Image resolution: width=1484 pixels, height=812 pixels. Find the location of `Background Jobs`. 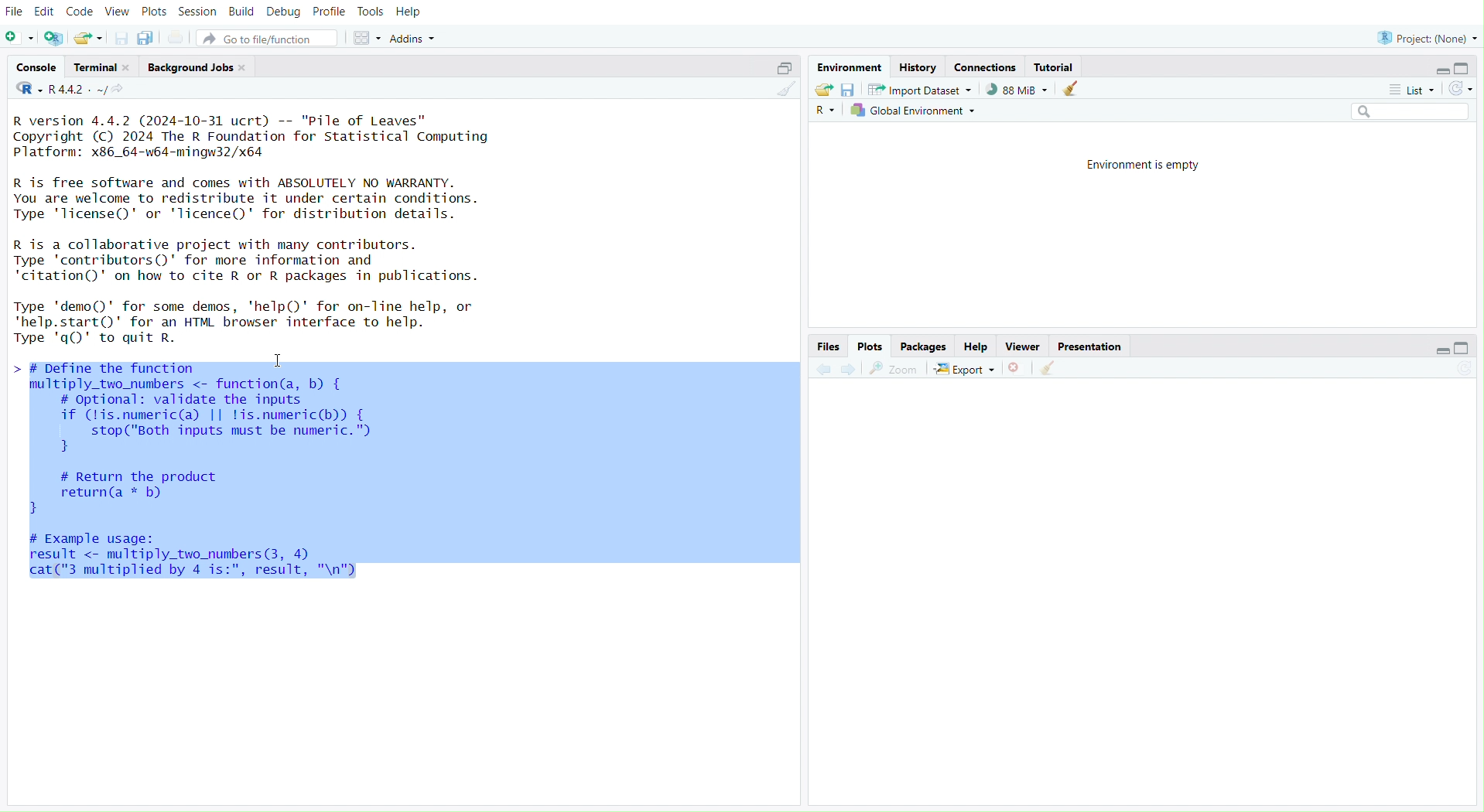

Background Jobs is located at coordinates (194, 67).